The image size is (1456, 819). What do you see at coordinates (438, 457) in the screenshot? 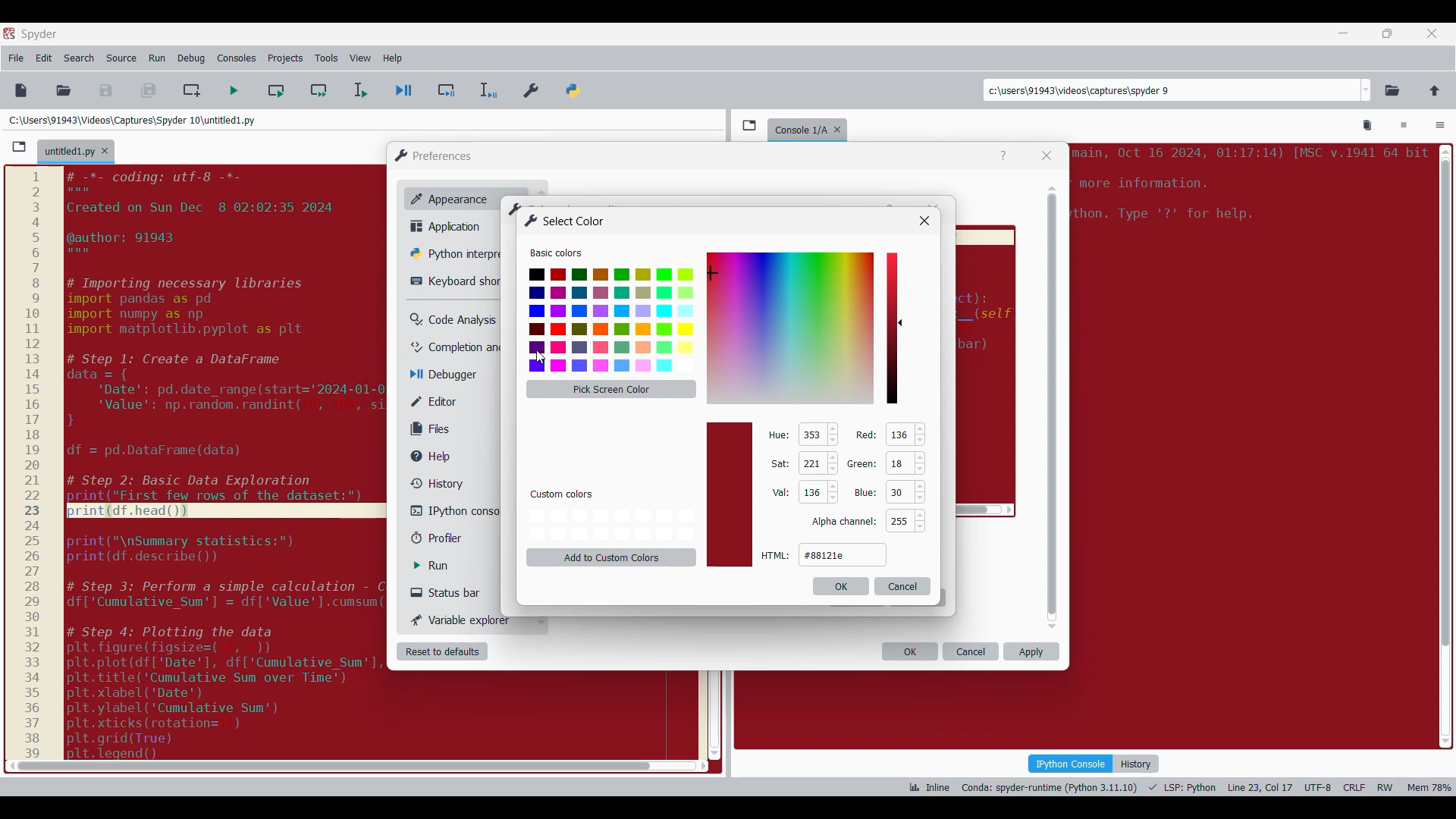
I see `Help` at bounding box center [438, 457].